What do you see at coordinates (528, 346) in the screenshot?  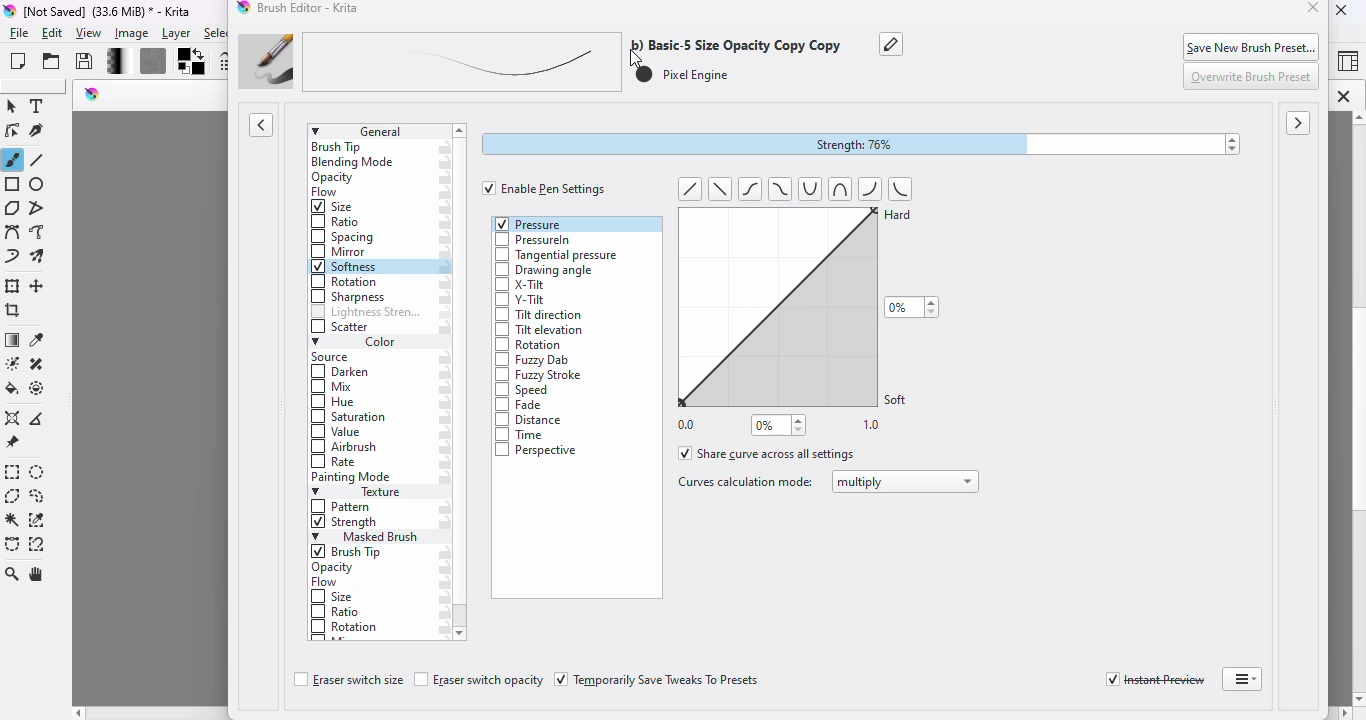 I see `rotation` at bounding box center [528, 346].